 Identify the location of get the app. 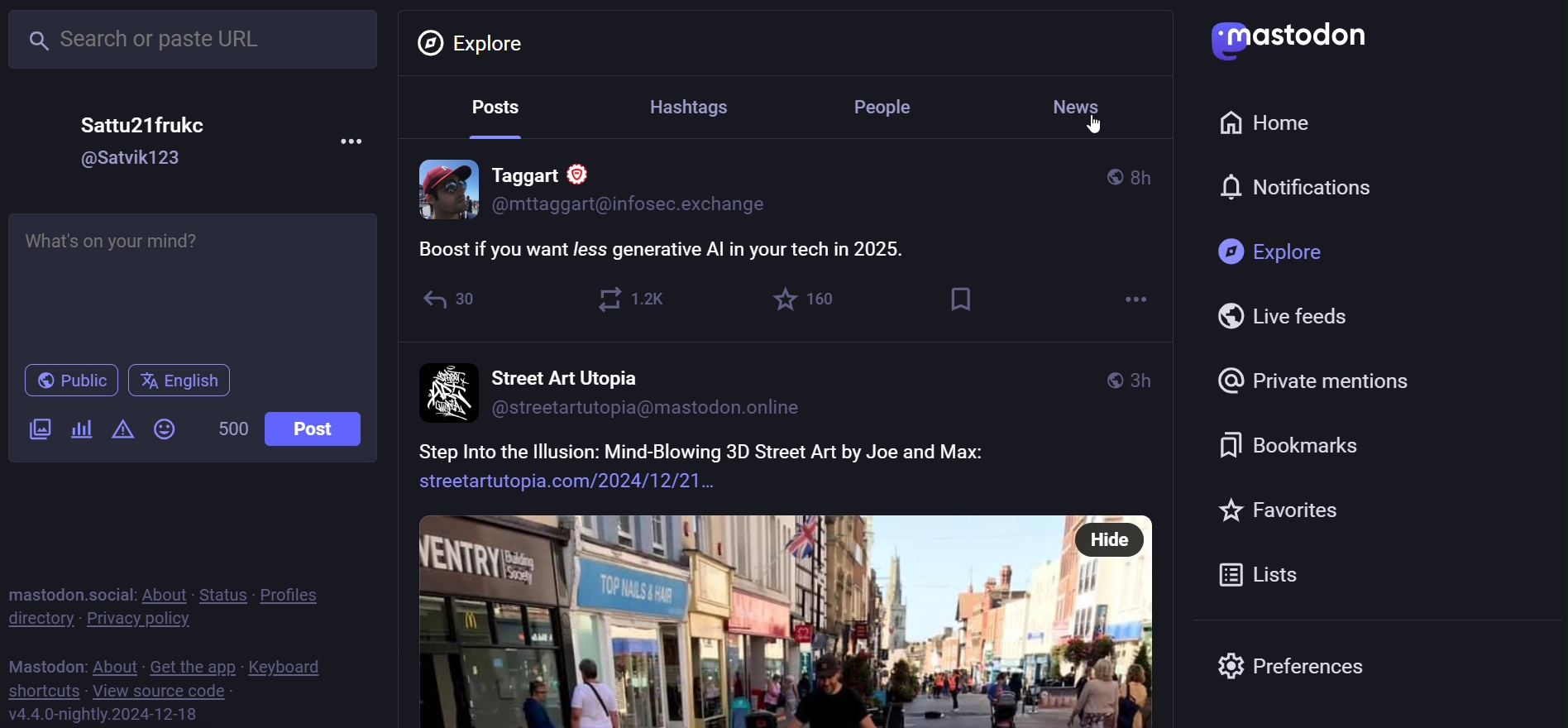
(192, 666).